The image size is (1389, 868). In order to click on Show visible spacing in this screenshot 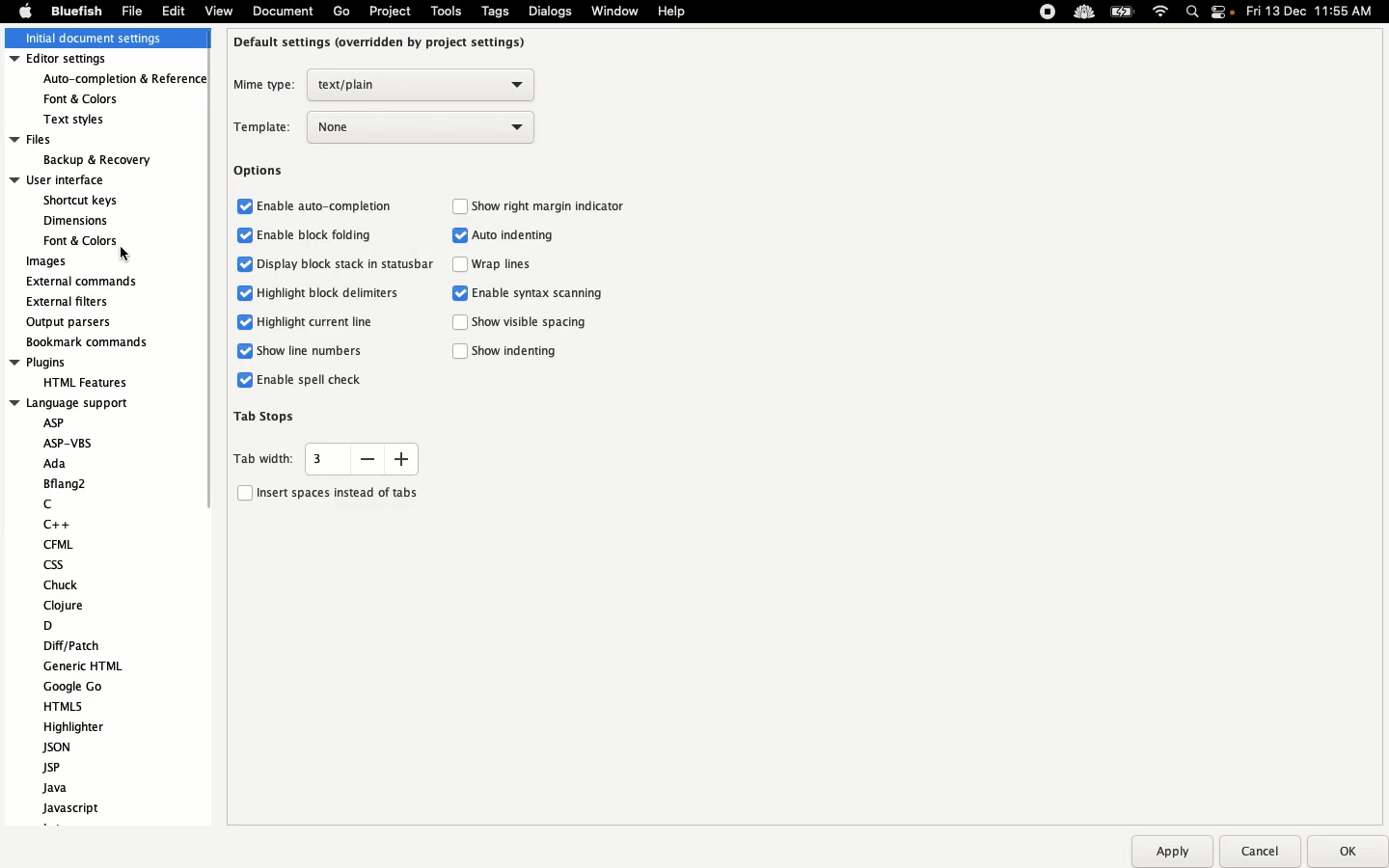, I will do `click(522, 324)`.